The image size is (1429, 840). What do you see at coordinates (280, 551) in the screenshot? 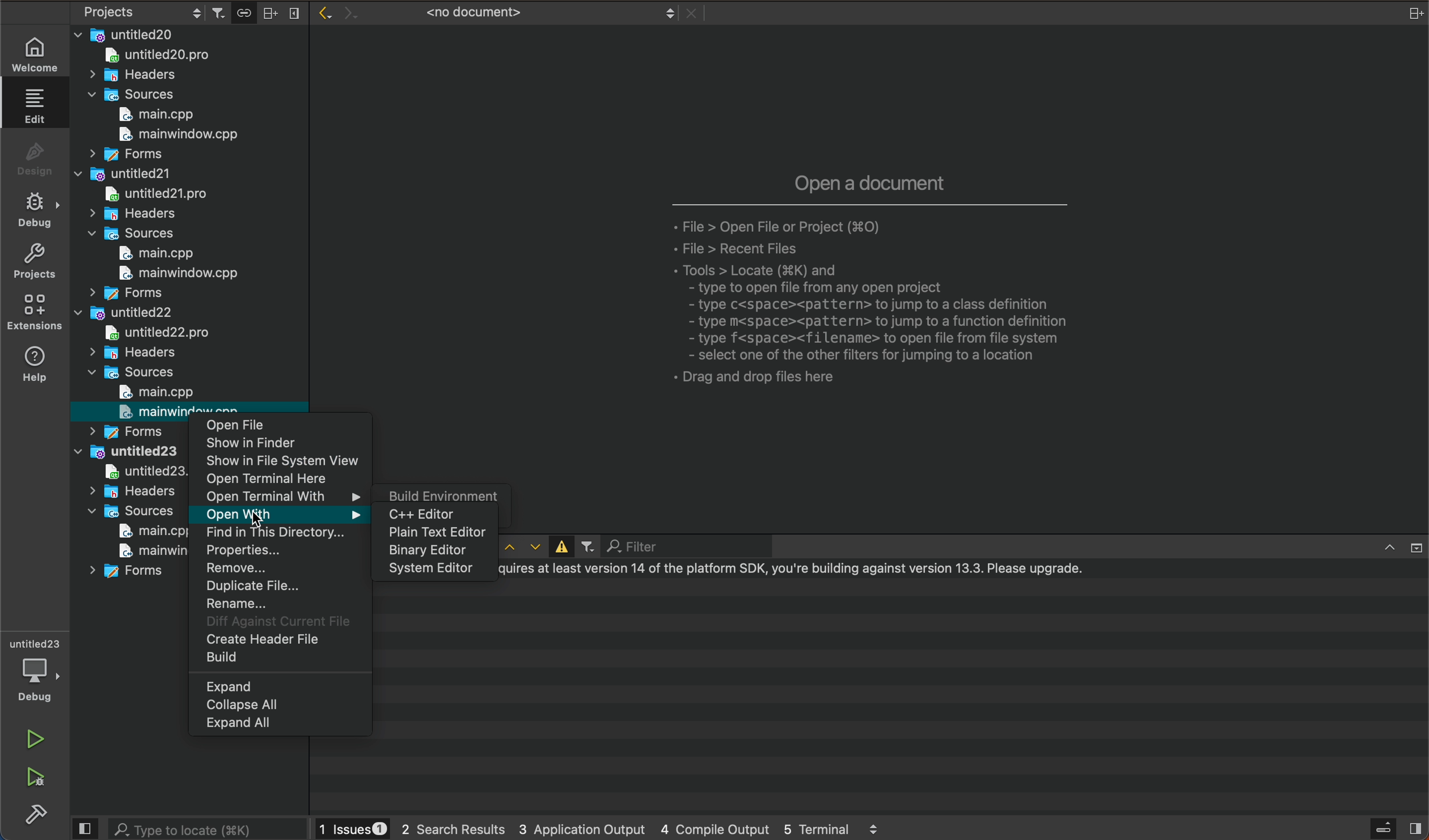
I see `properties` at bounding box center [280, 551].